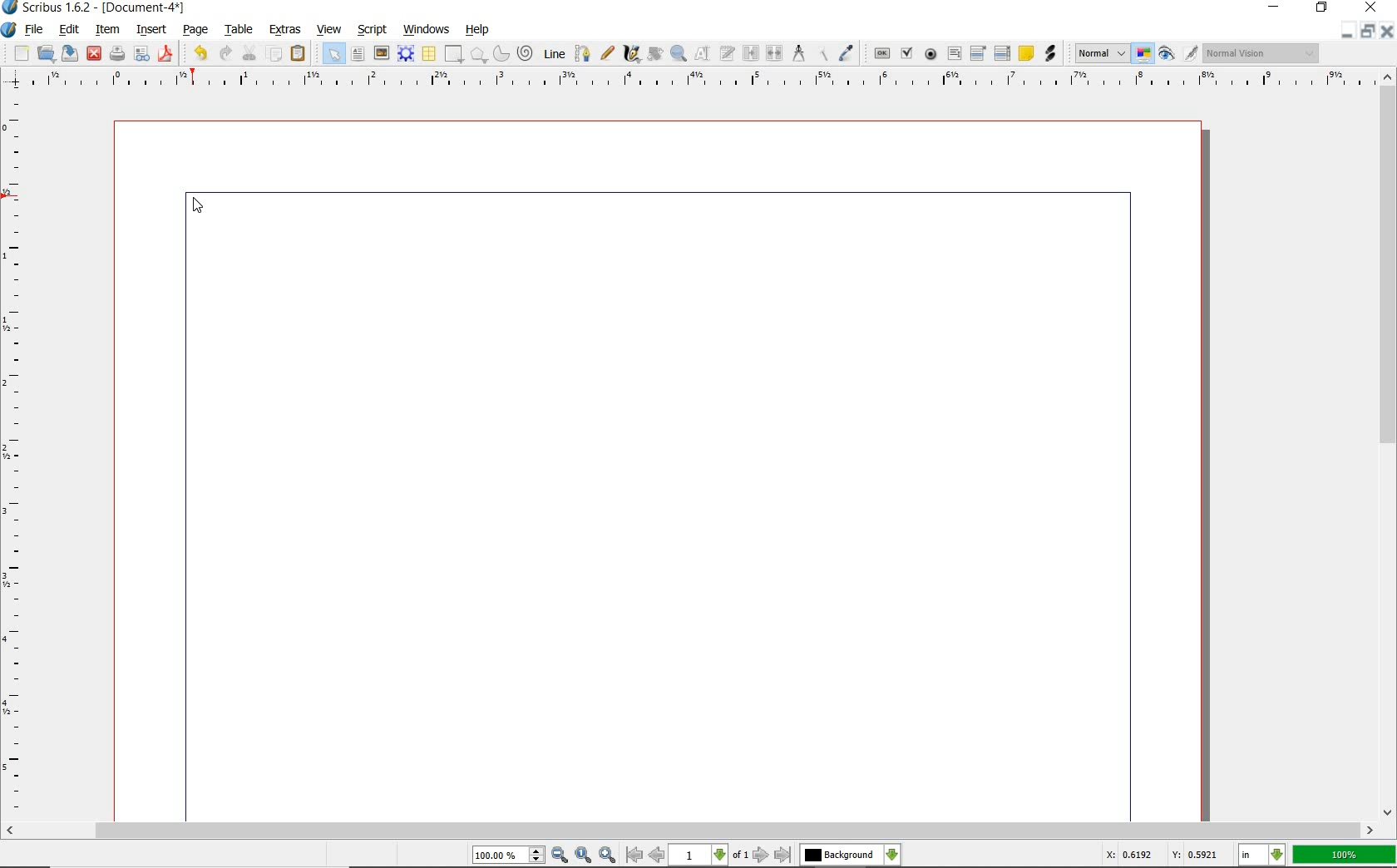 Image resolution: width=1397 pixels, height=868 pixels. I want to click on X: 0.6192 Y: 0.5921, so click(1159, 855).